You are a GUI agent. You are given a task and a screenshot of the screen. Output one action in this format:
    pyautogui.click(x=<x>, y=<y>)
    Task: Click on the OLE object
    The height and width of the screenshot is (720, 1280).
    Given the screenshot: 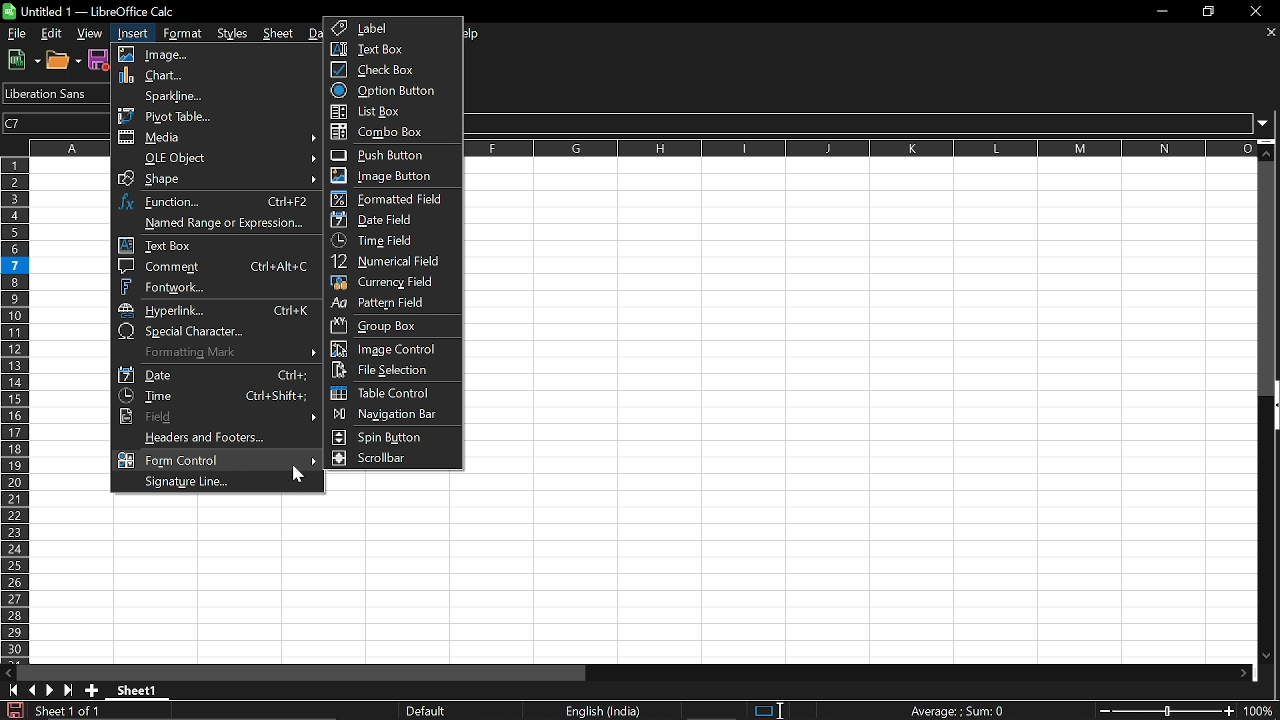 What is the action you would take?
    pyautogui.click(x=219, y=158)
    